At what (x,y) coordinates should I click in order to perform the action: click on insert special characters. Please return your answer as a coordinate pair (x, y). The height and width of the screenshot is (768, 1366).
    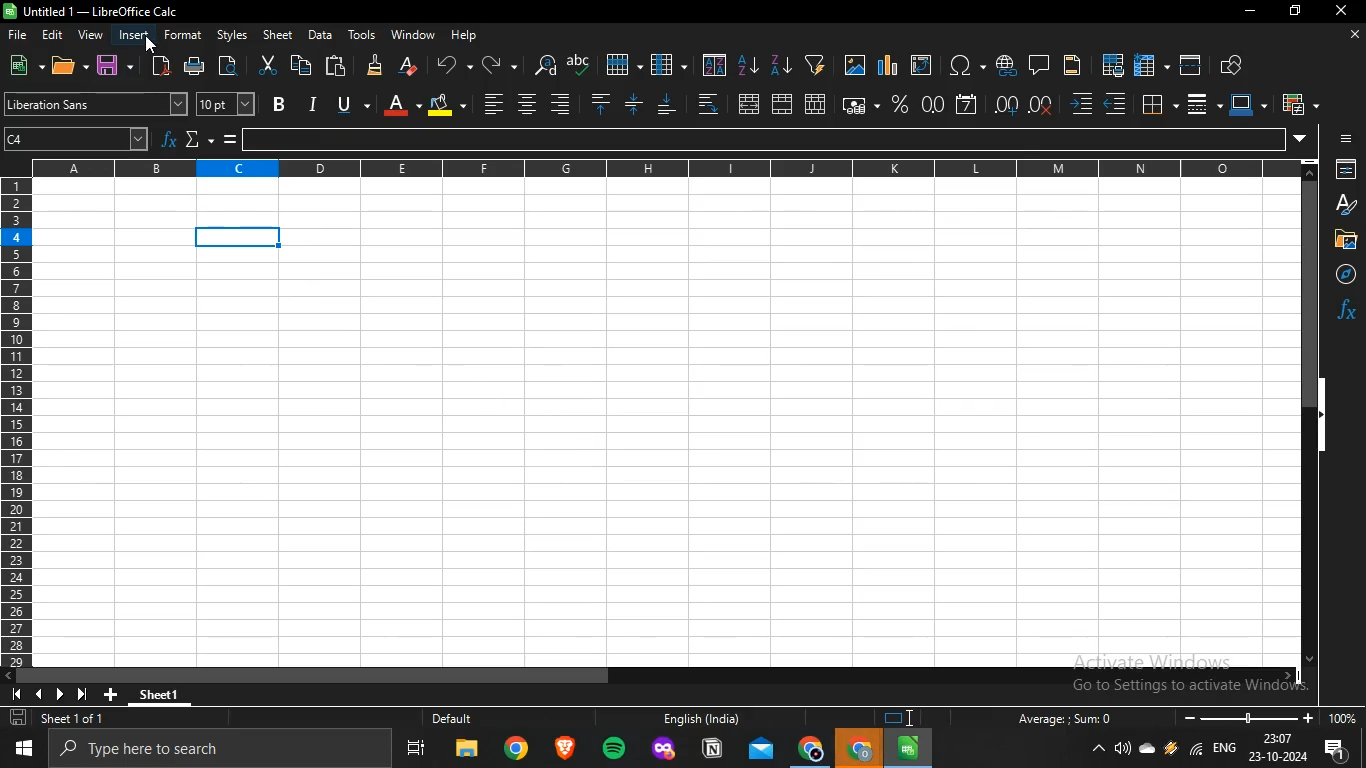
    Looking at the image, I should click on (962, 65).